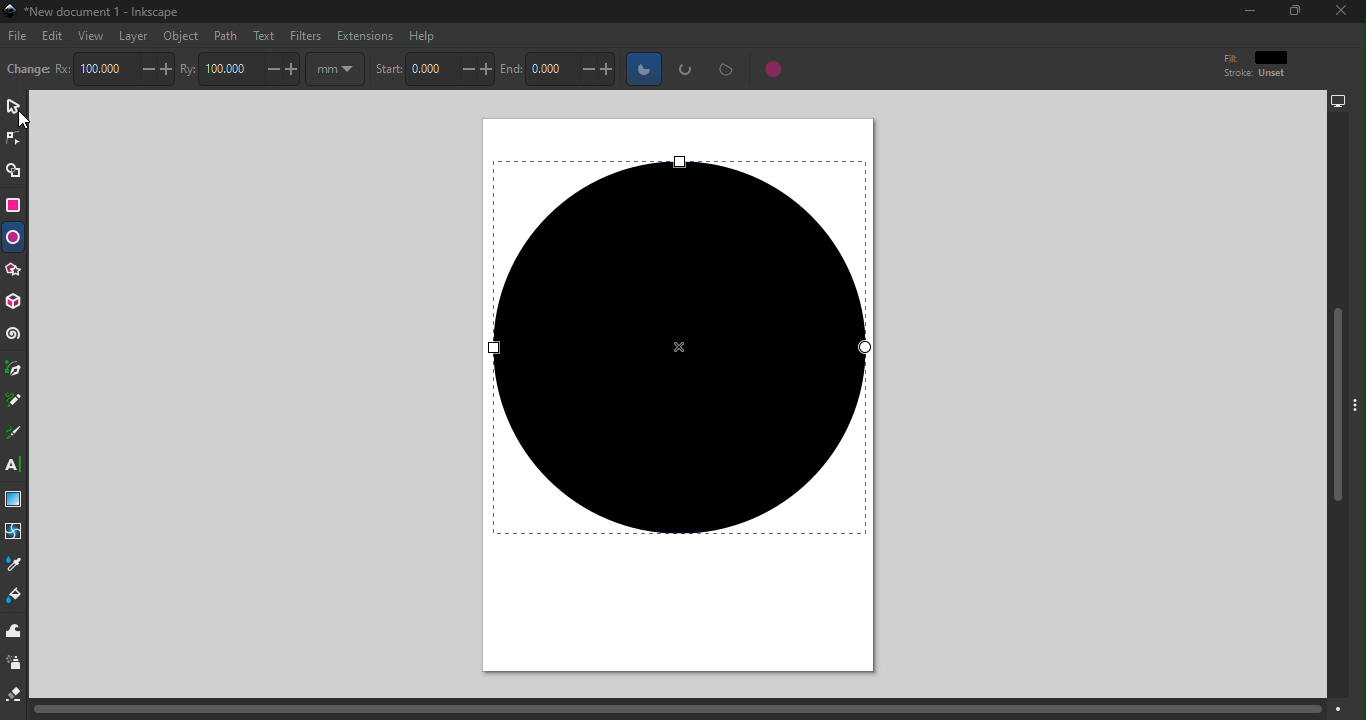 Image resolution: width=1366 pixels, height=720 pixels. Describe the element at coordinates (686, 397) in the screenshot. I see `Canva` at that location.